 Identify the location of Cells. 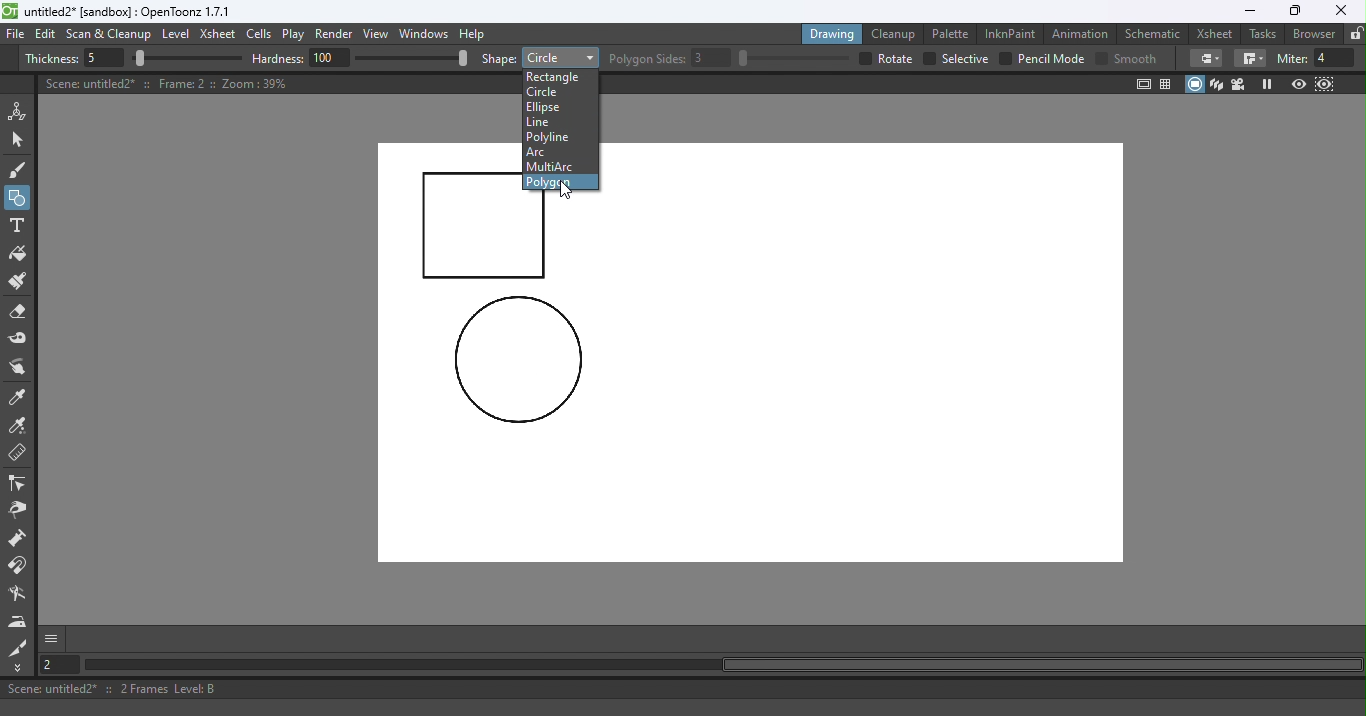
(262, 35).